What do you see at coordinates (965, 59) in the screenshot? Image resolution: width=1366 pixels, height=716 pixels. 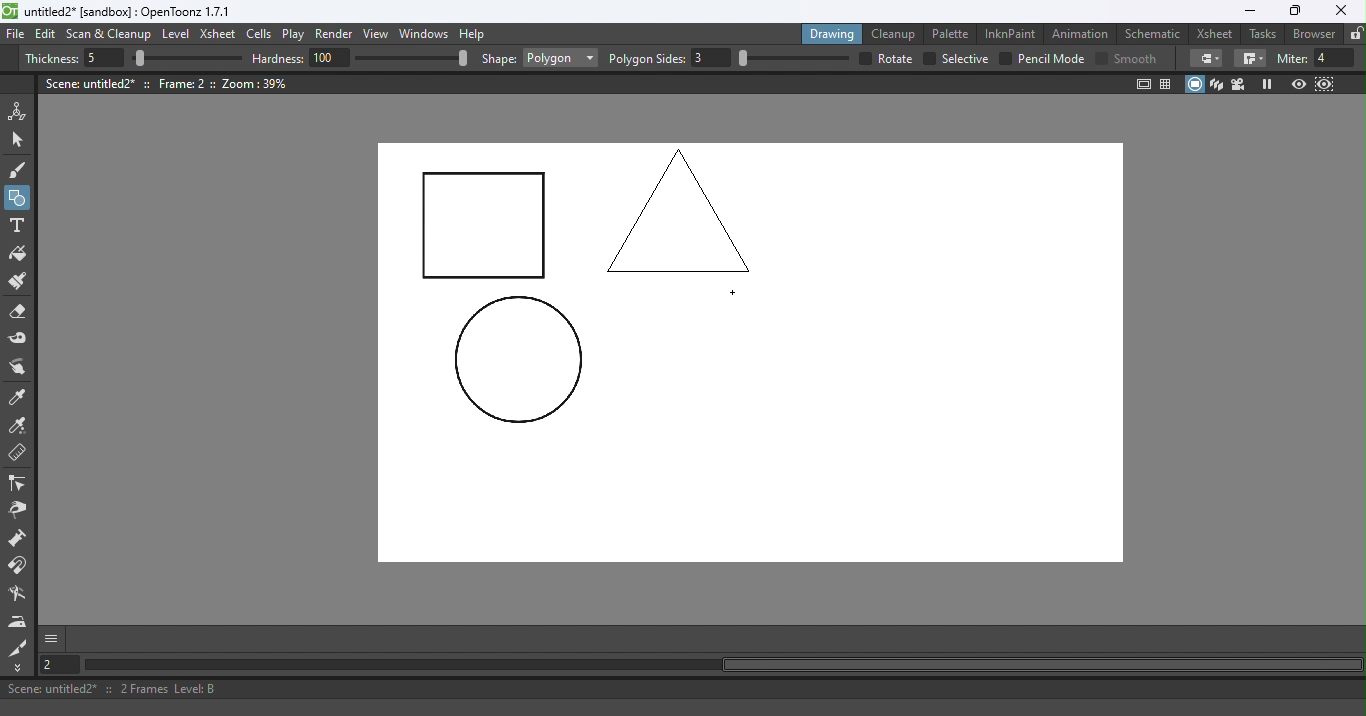 I see `selective` at bounding box center [965, 59].